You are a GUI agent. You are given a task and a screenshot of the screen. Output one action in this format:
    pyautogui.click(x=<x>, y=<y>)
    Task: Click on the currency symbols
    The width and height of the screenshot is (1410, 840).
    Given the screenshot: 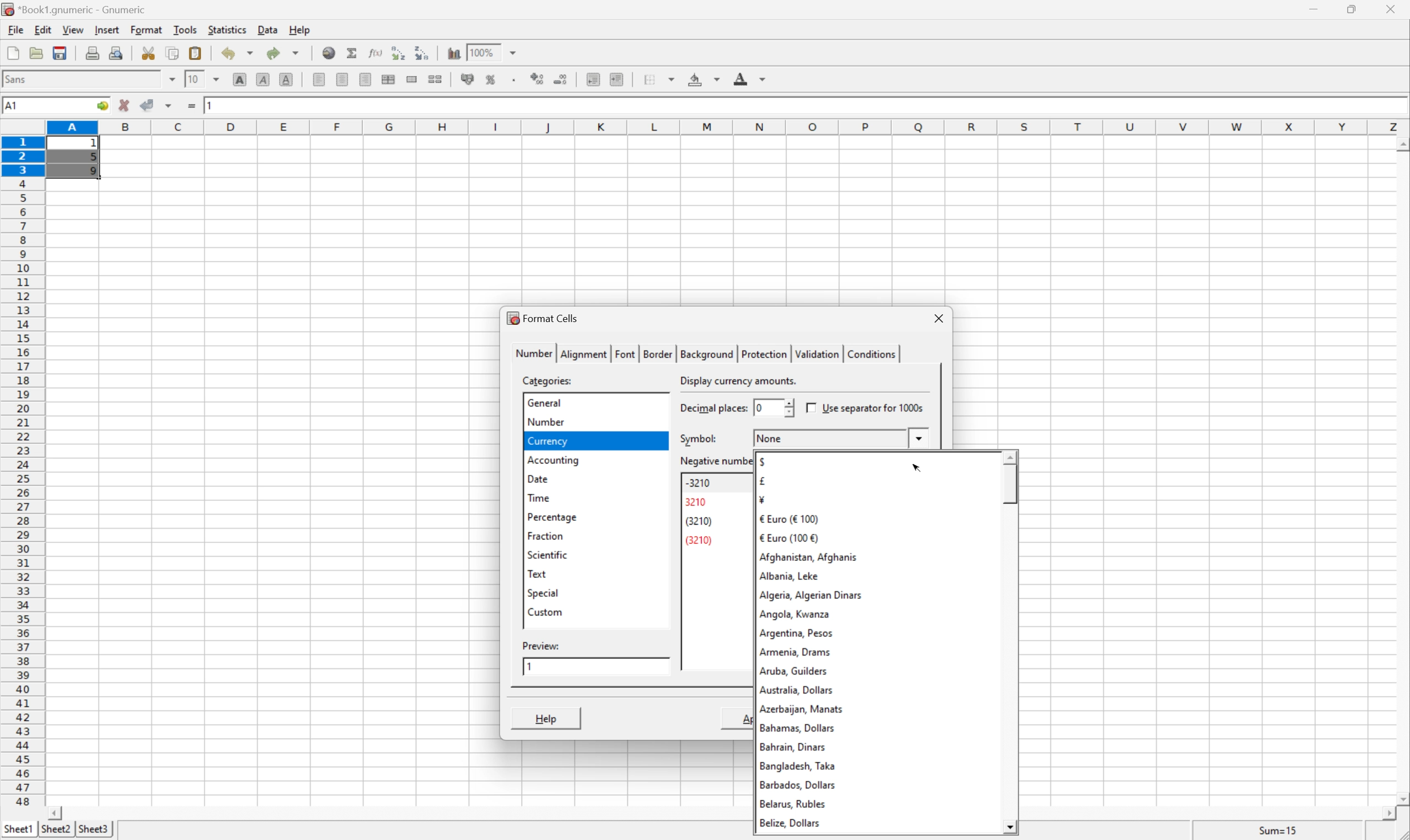 What is the action you would take?
    pyautogui.click(x=878, y=642)
    